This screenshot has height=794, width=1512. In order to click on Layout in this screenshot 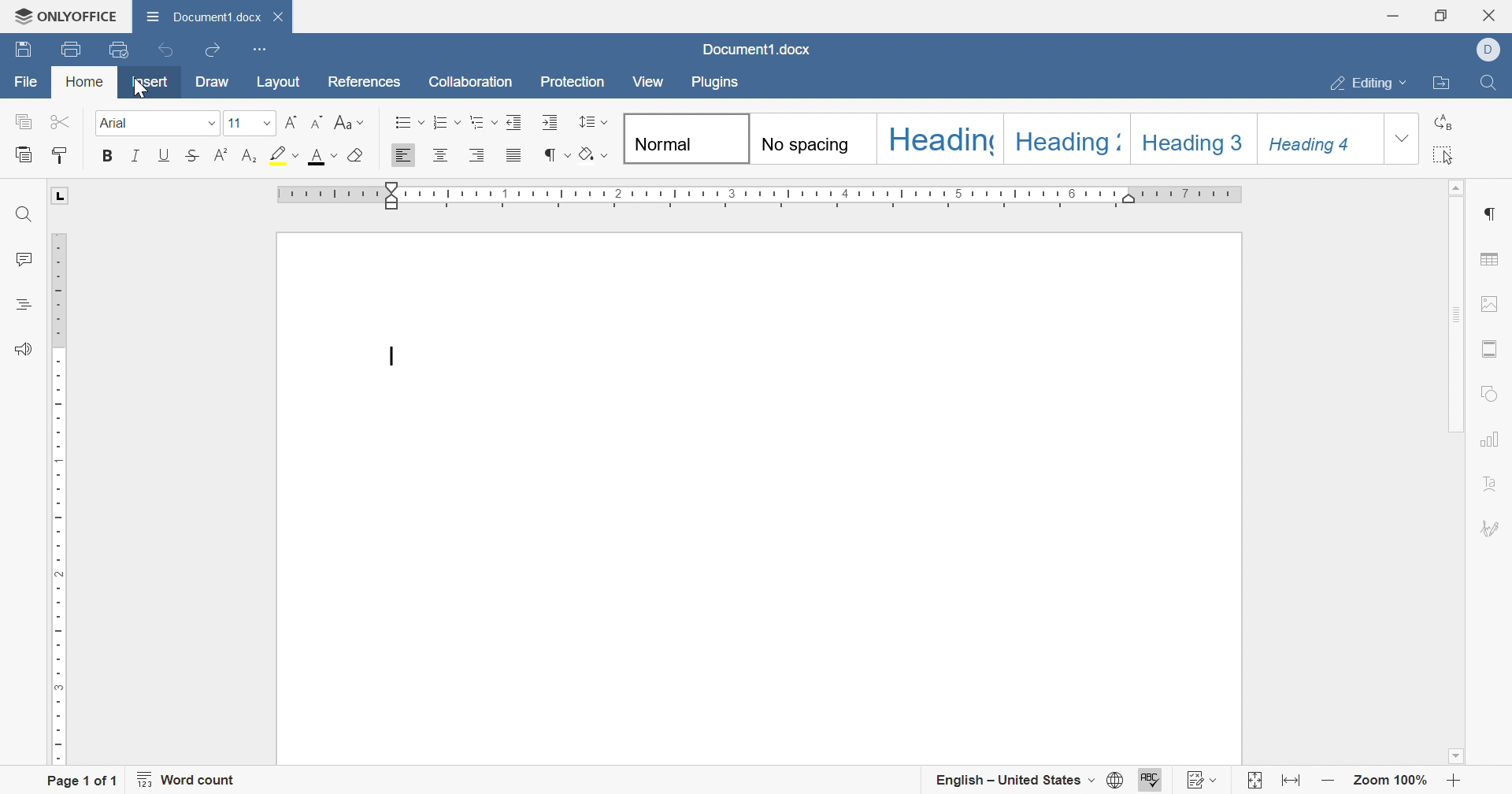, I will do `click(278, 81)`.